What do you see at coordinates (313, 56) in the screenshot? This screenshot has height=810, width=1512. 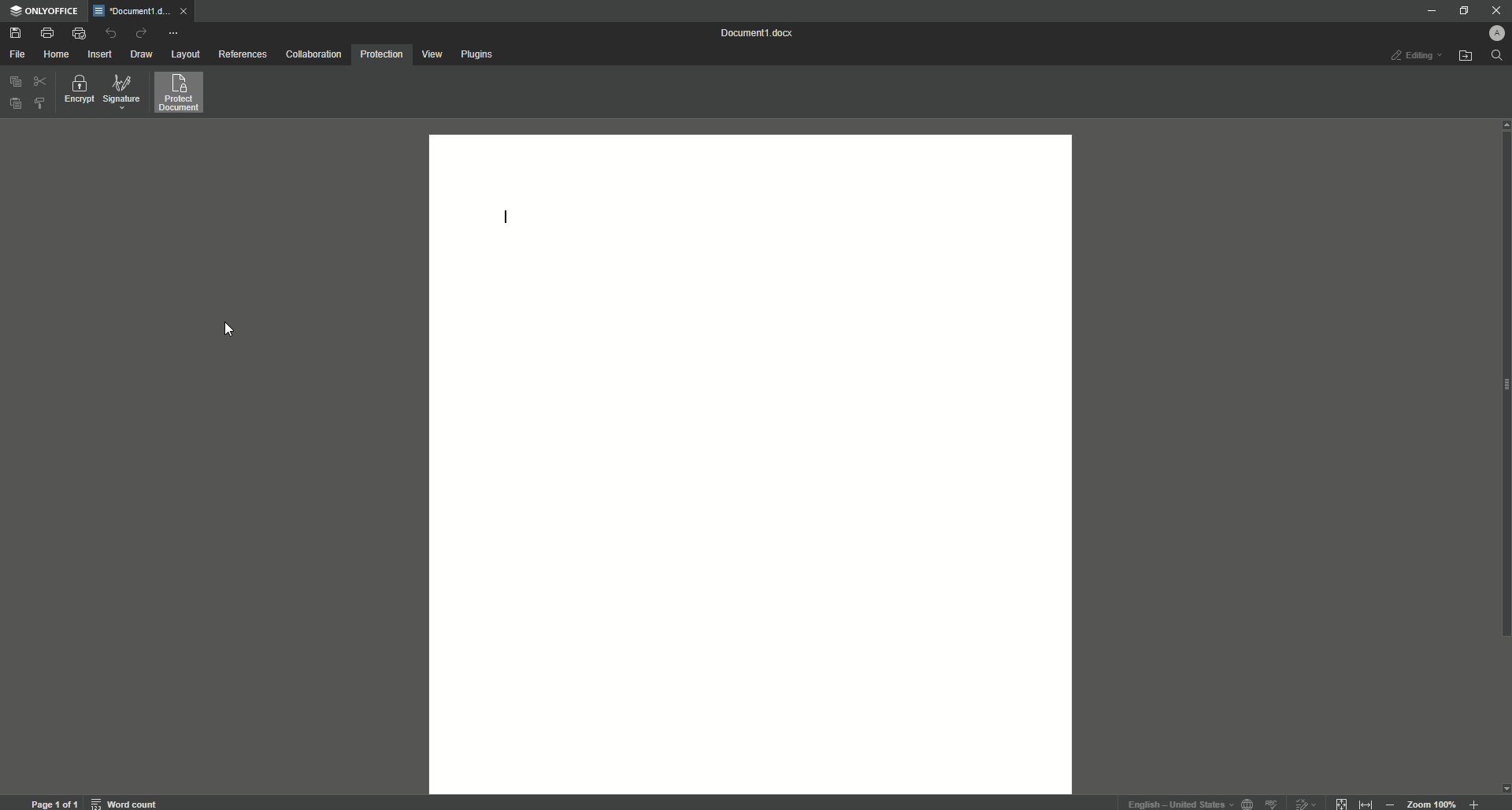 I see `Collaboration` at bounding box center [313, 56].